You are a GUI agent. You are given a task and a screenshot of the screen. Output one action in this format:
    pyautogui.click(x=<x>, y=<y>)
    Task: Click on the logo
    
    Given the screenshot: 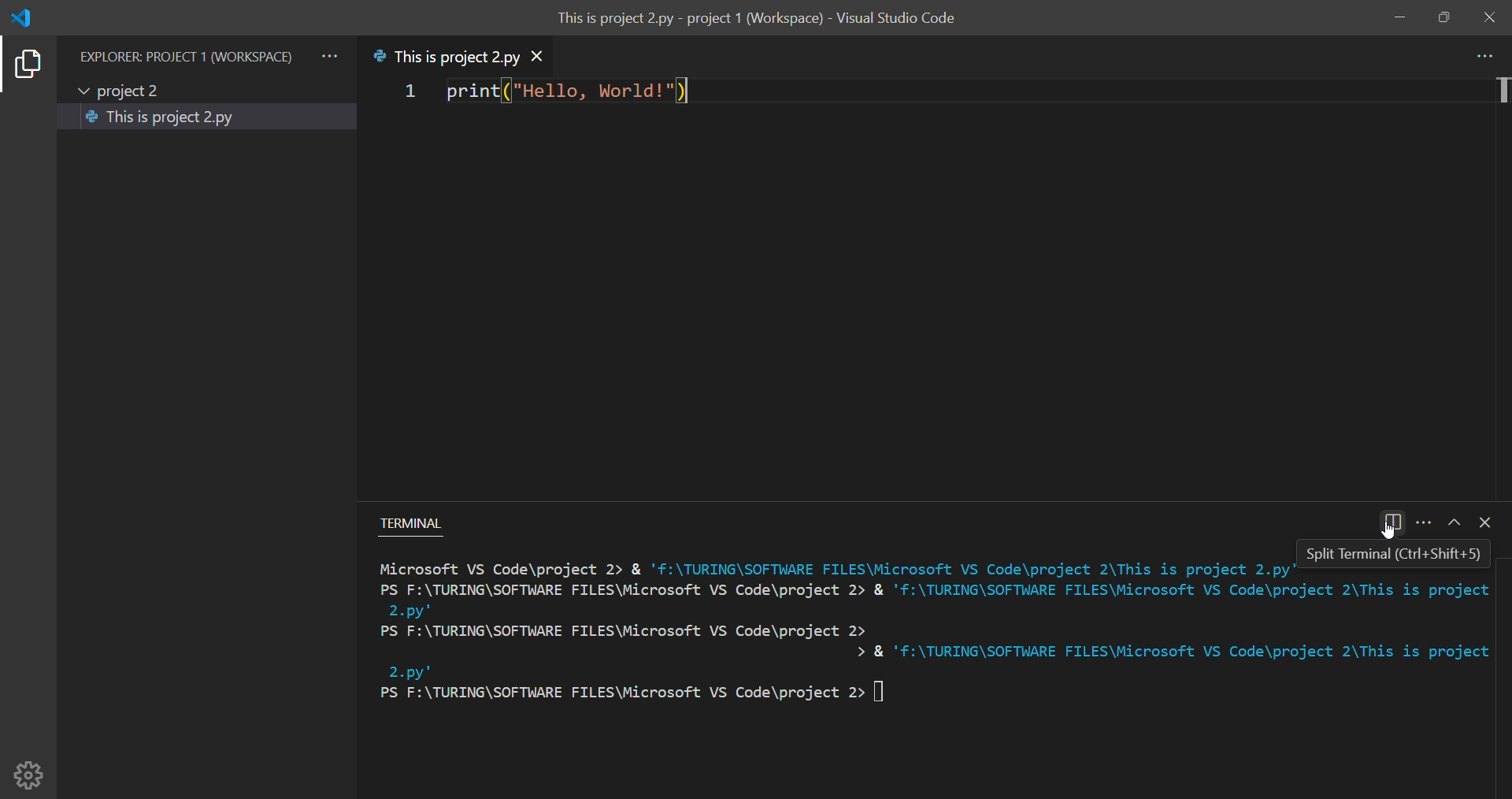 What is the action you would take?
    pyautogui.click(x=28, y=17)
    